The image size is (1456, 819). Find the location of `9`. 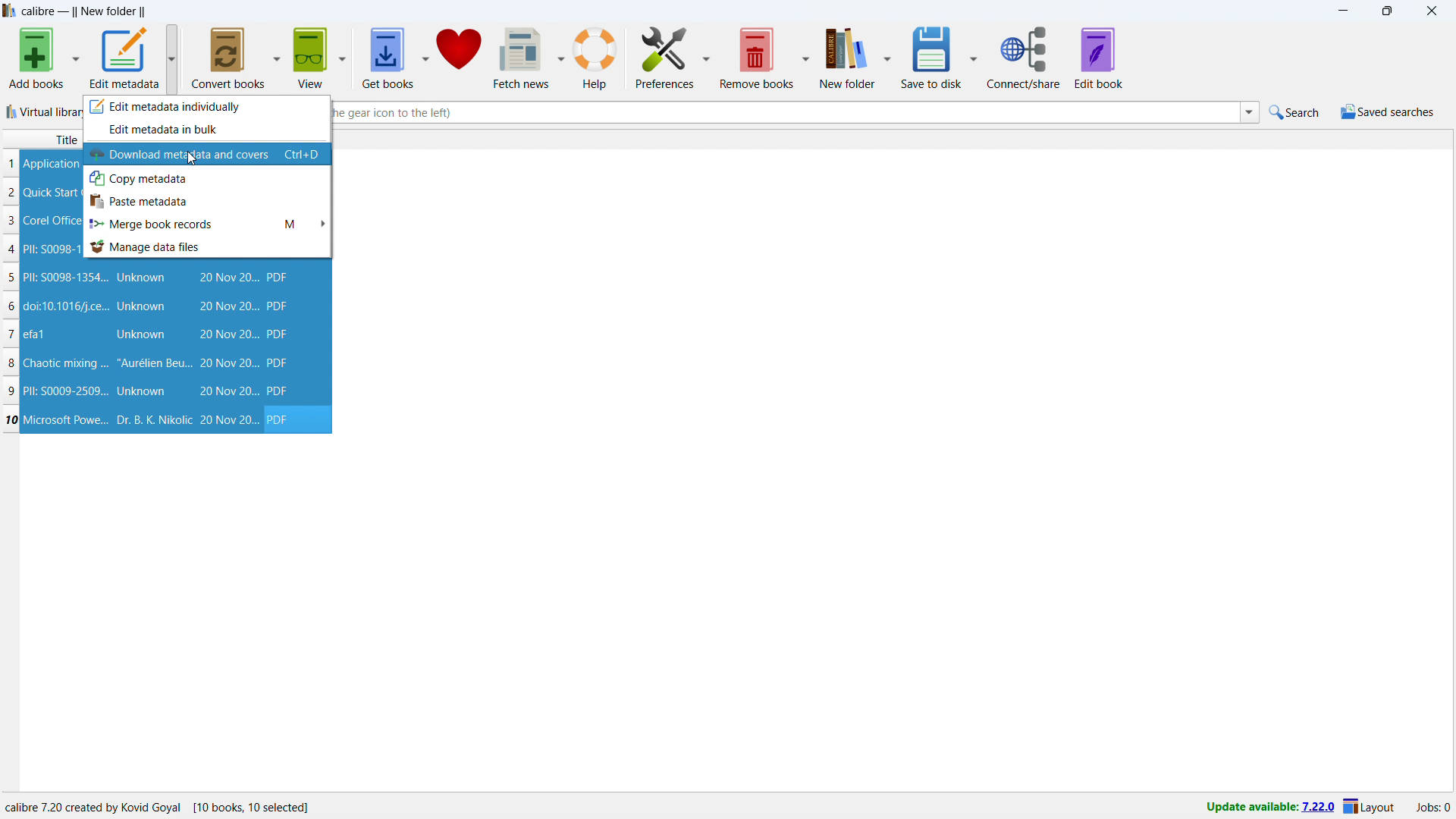

9 is located at coordinates (14, 391).